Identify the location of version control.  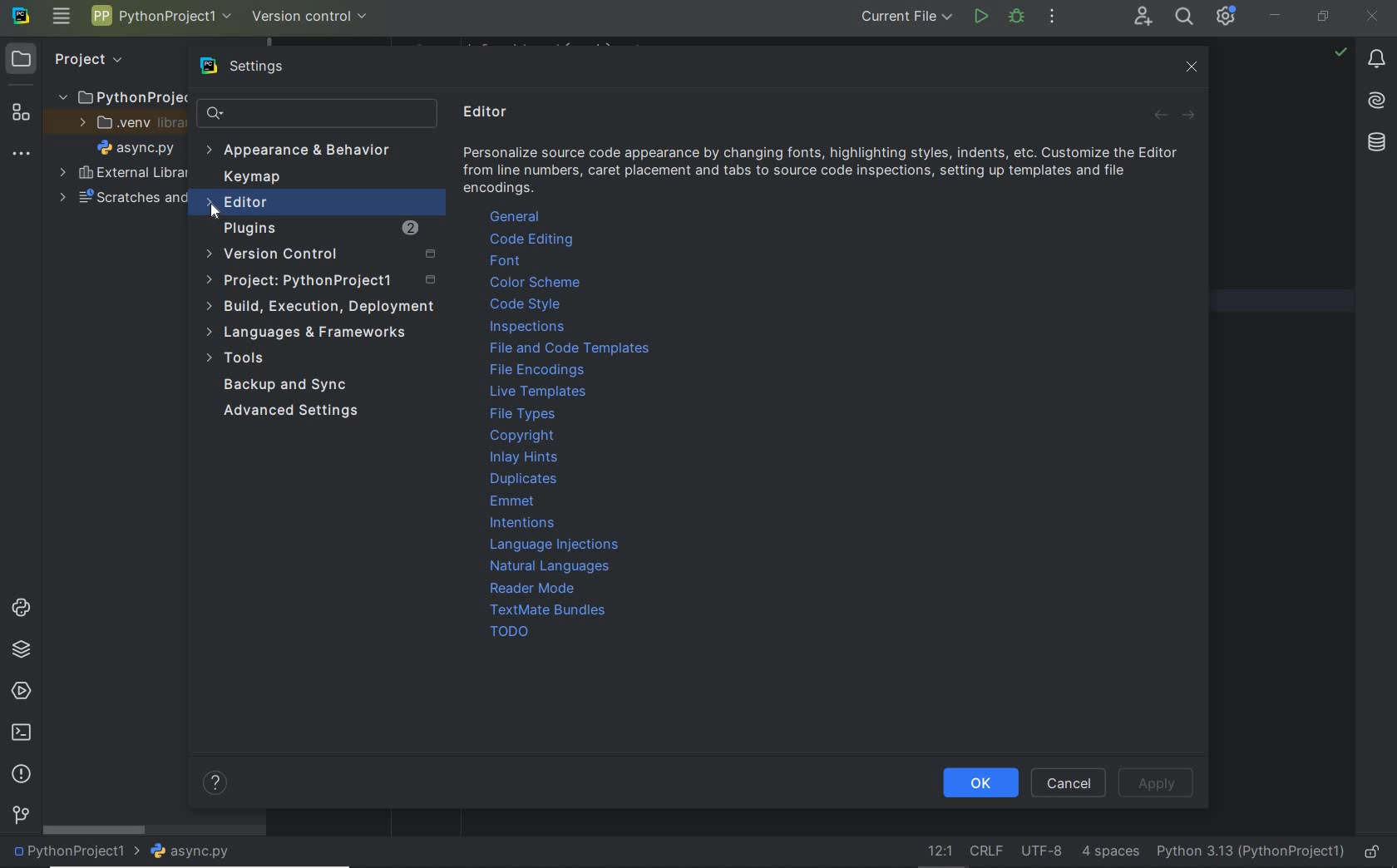
(20, 816).